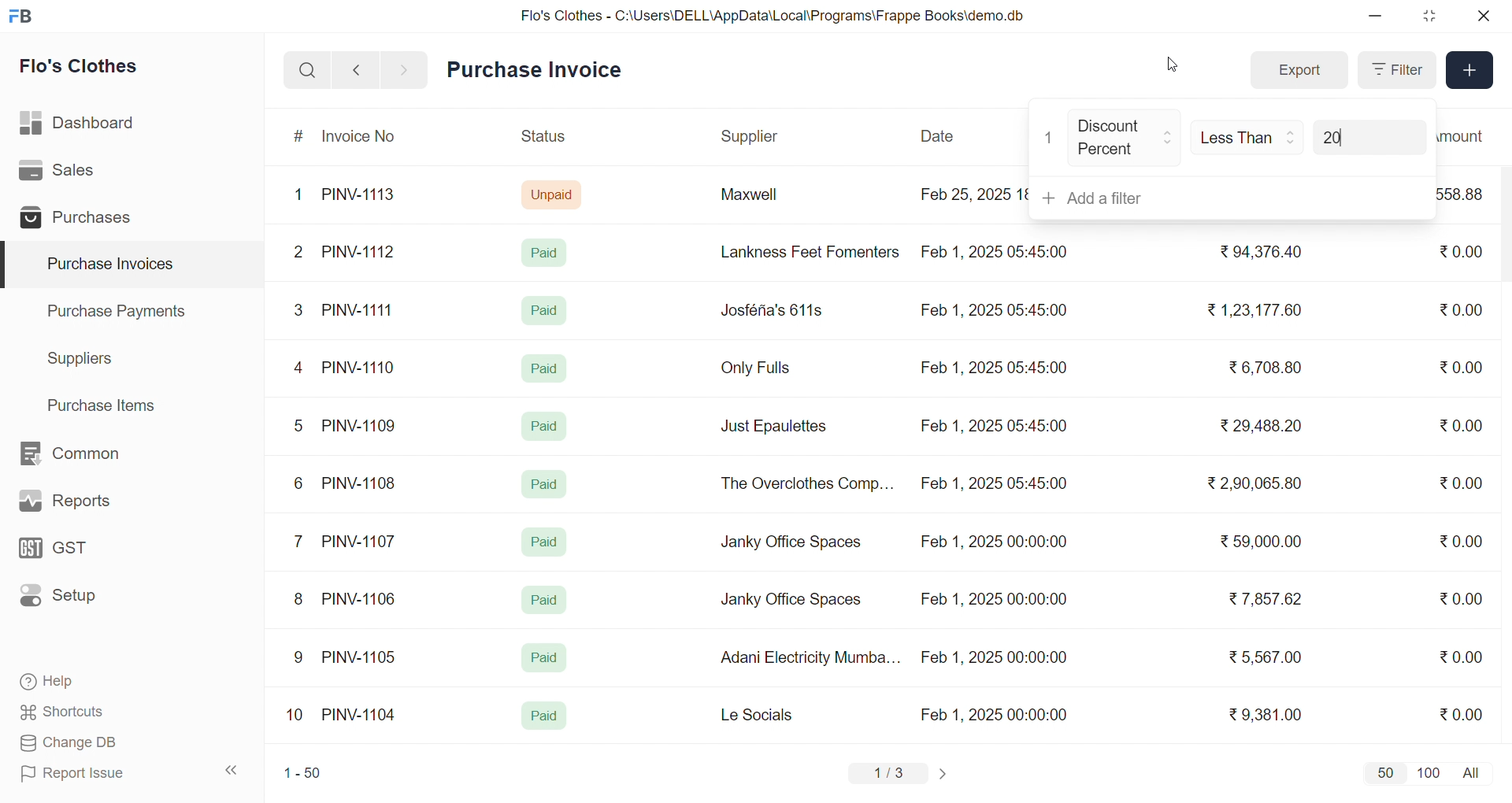 The height and width of the screenshot is (803, 1512). Describe the element at coordinates (545, 542) in the screenshot. I see `Paid` at that location.